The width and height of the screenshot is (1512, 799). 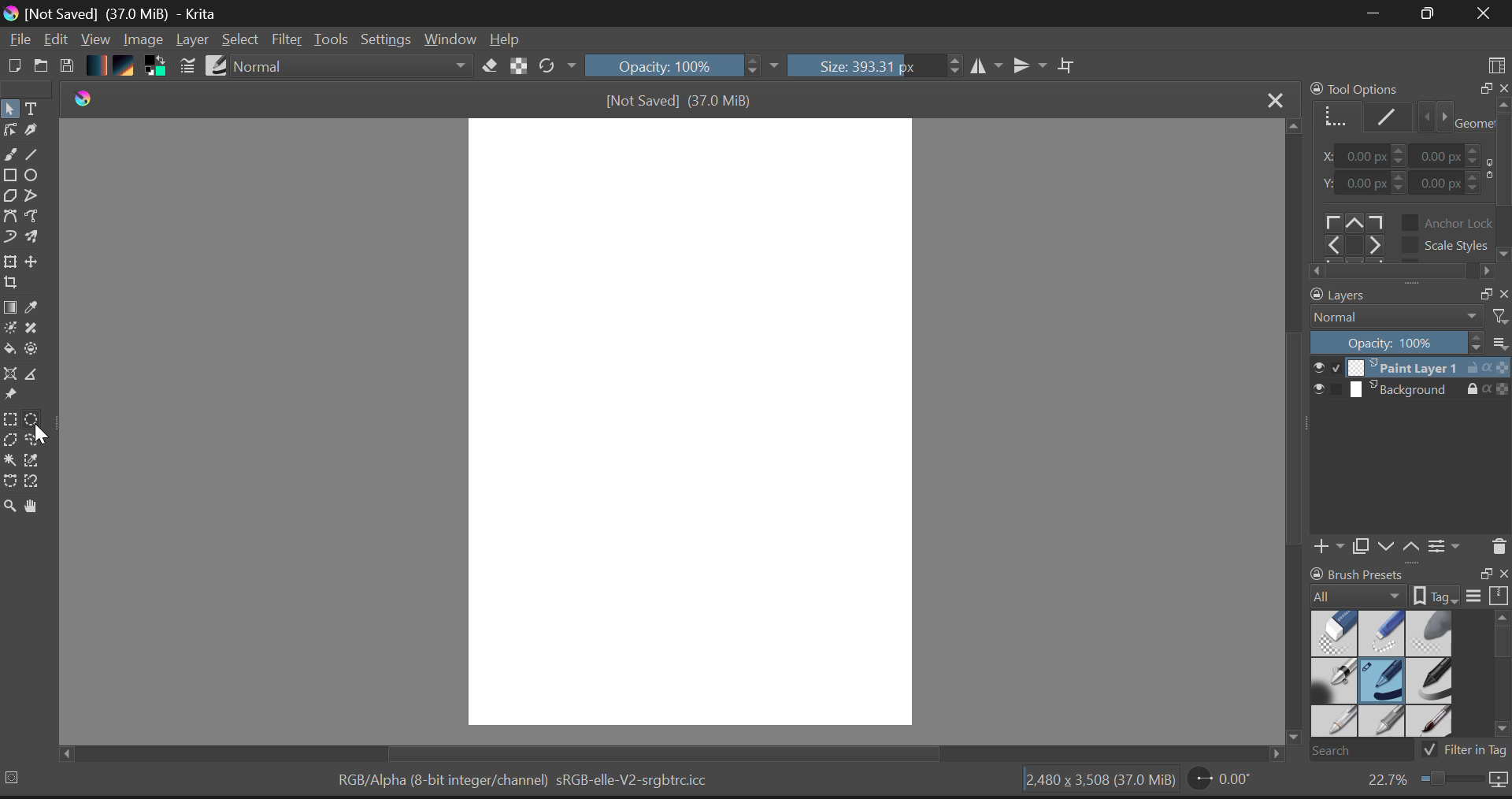 What do you see at coordinates (13, 262) in the screenshot?
I see `Transform Layers` at bounding box center [13, 262].